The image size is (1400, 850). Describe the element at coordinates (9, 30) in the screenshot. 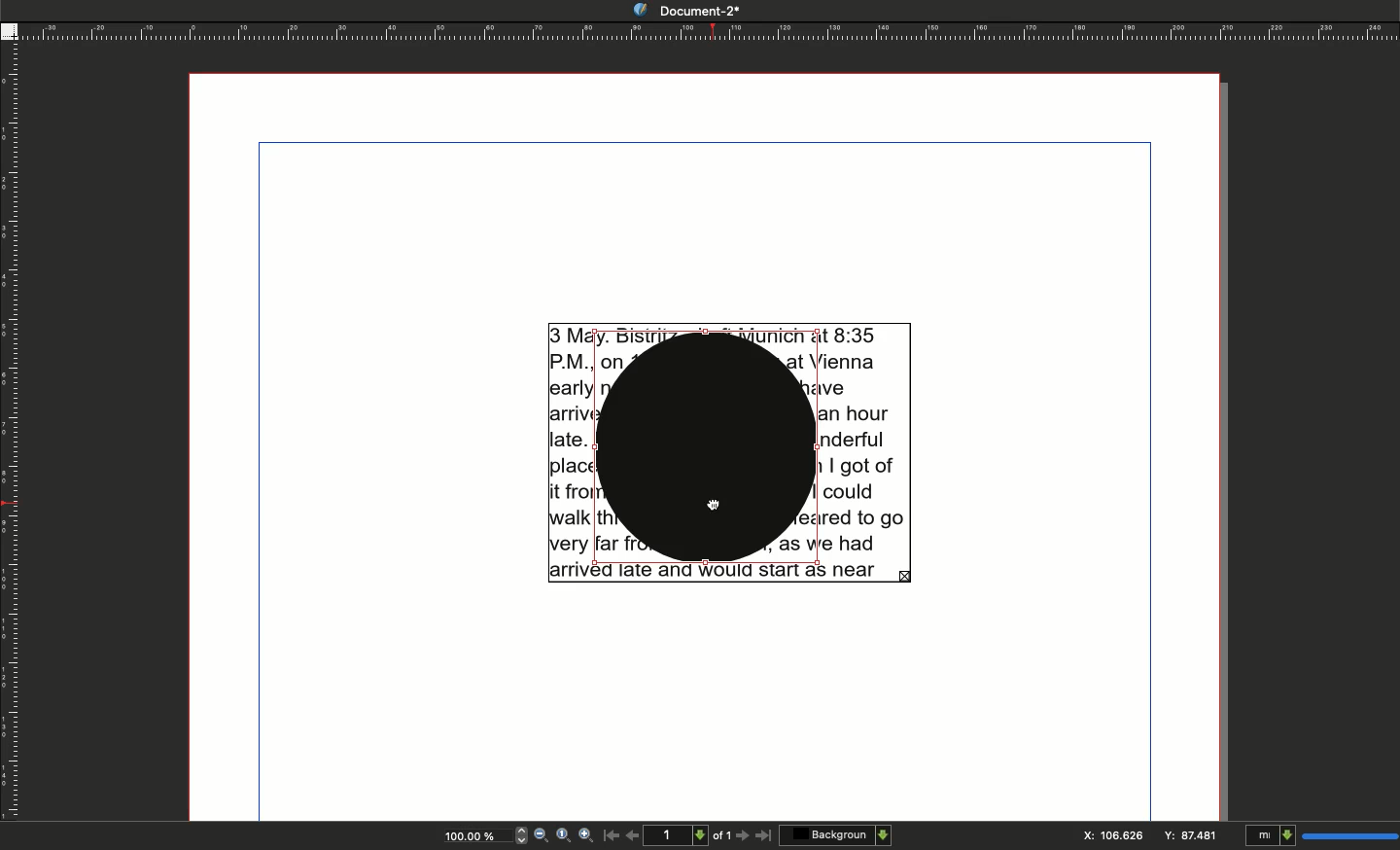

I see `Guide` at that location.